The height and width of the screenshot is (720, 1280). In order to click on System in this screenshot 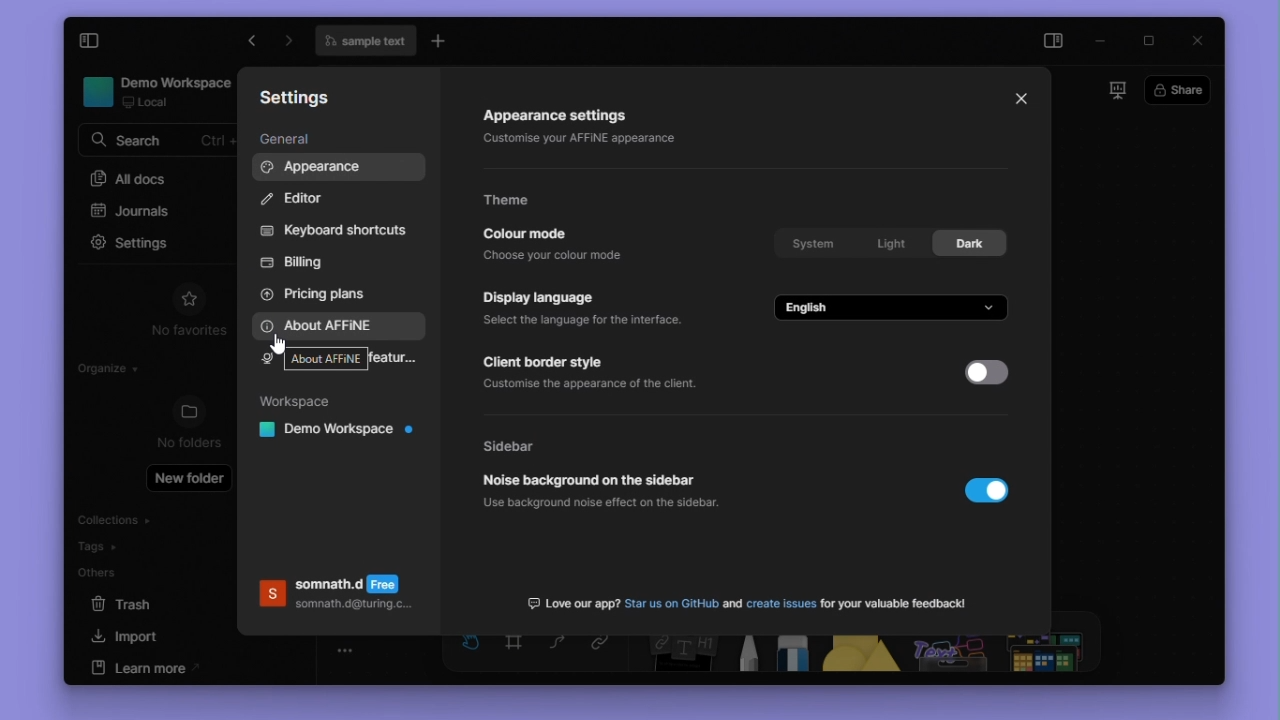, I will do `click(811, 240)`.